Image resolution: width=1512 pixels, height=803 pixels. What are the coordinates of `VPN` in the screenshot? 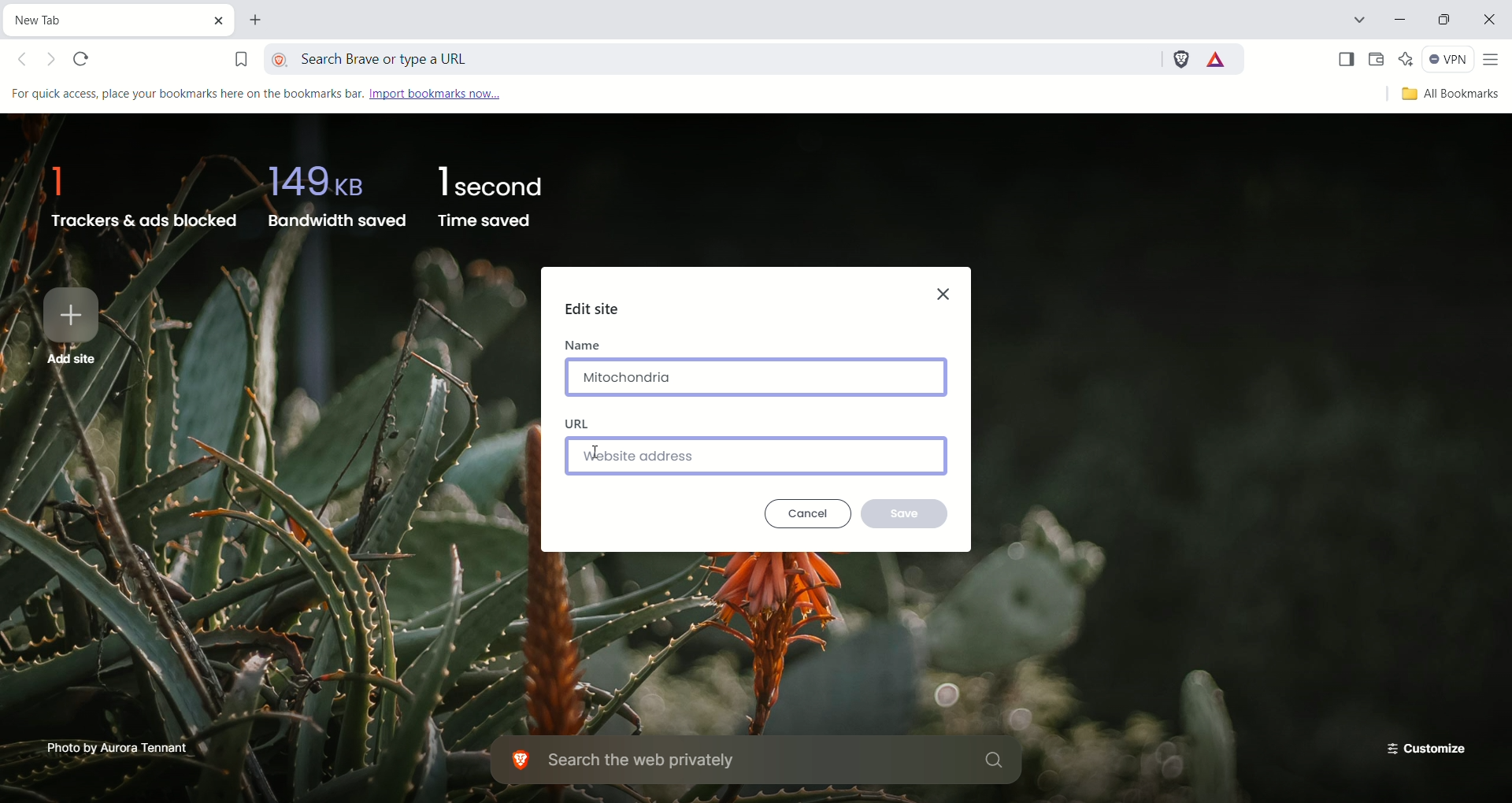 It's located at (1447, 61).